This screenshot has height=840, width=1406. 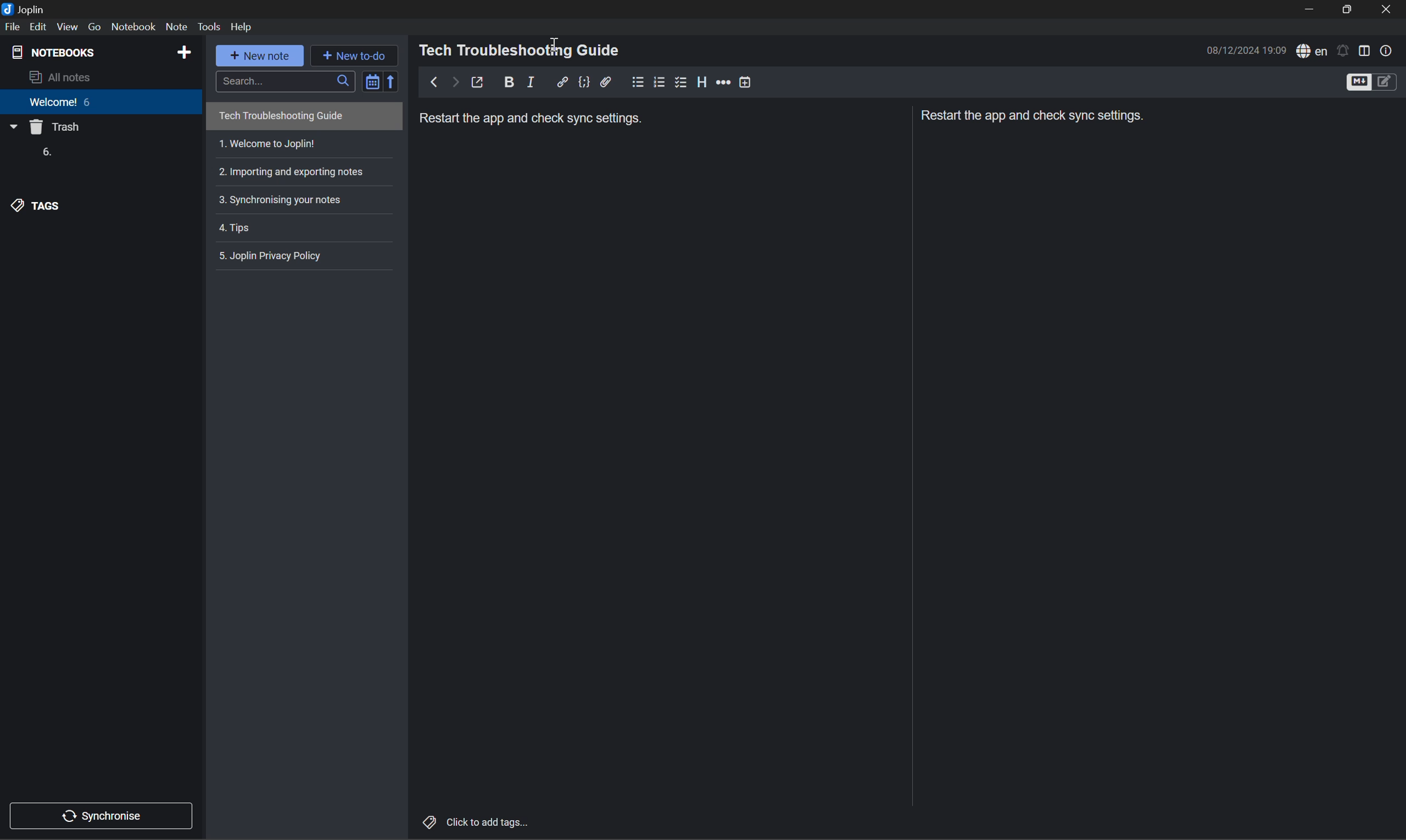 What do you see at coordinates (680, 82) in the screenshot?
I see `Checkbox list` at bounding box center [680, 82].